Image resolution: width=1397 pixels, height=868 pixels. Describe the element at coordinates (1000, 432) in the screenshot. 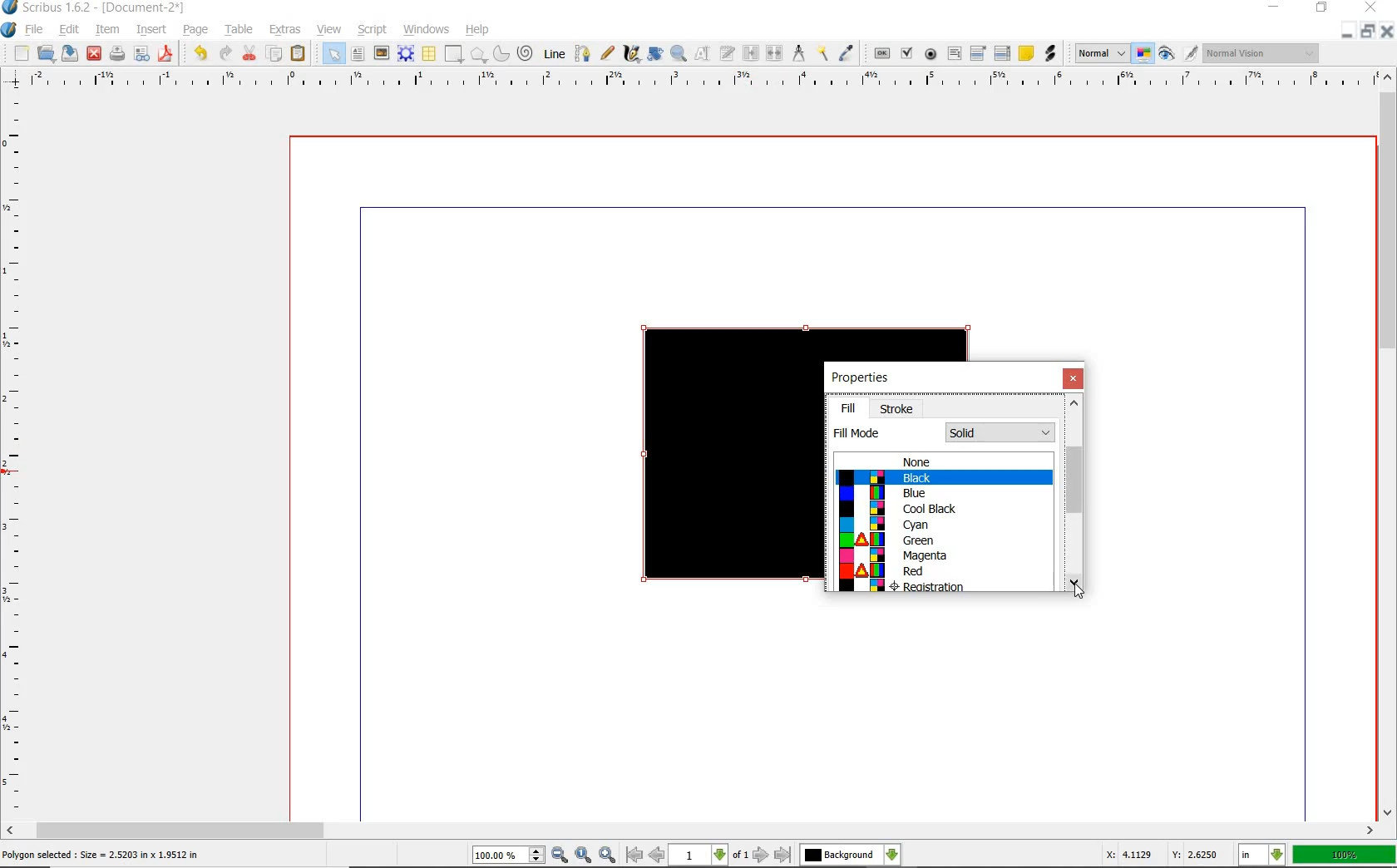

I see `fill mode` at that location.